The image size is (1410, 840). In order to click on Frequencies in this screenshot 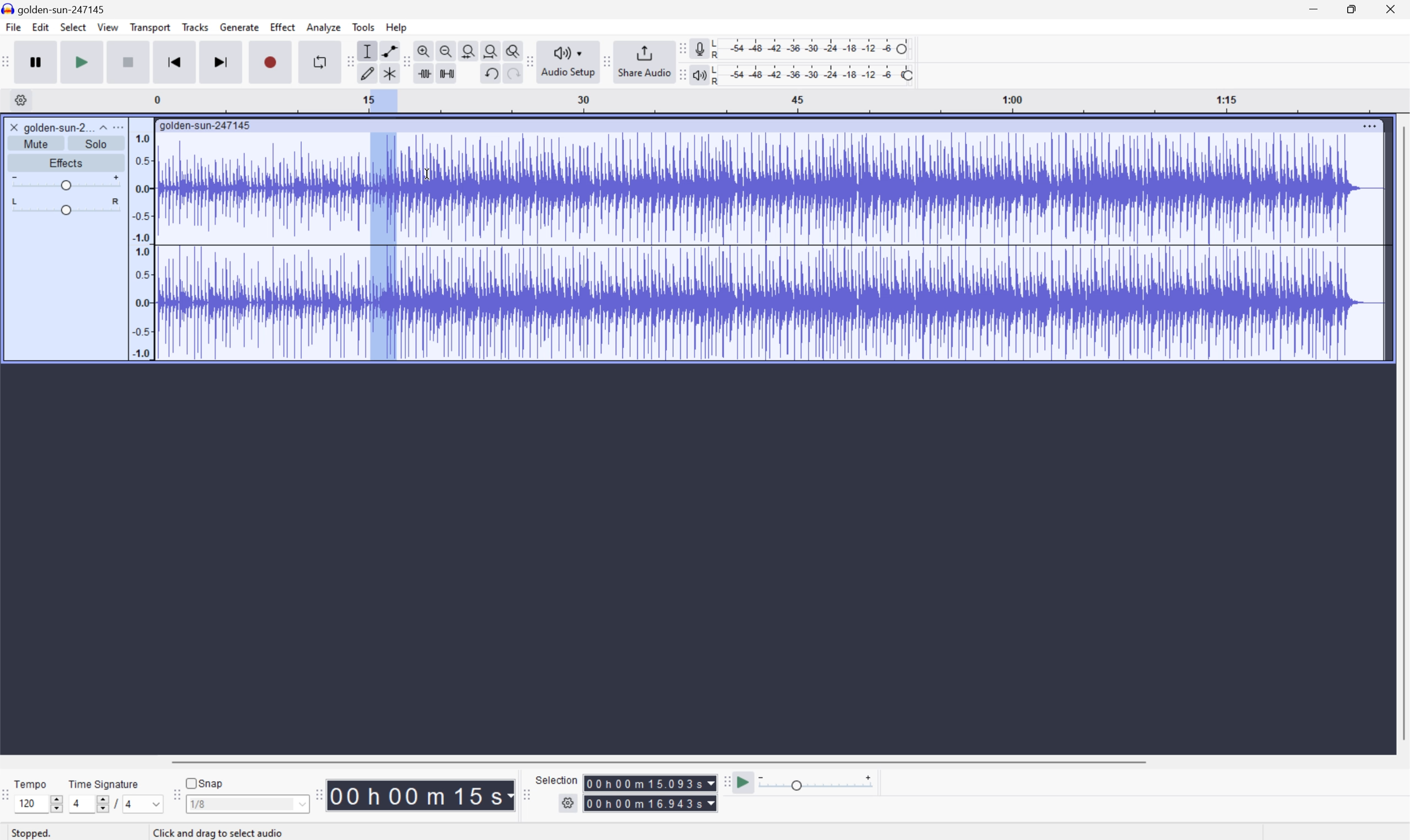, I will do `click(141, 246)`.